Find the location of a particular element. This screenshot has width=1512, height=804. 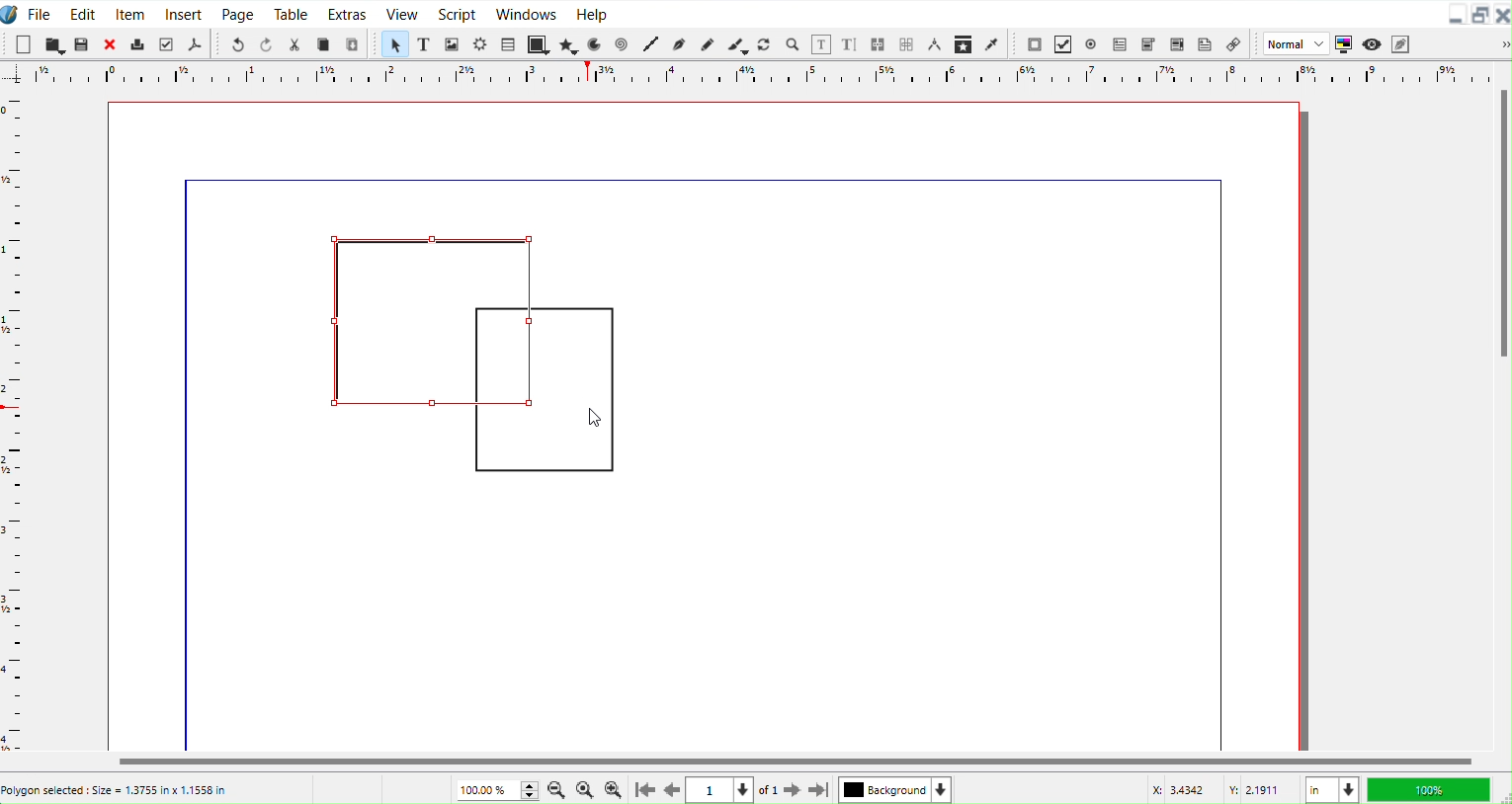

Edit is located at coordinates (82, 12).